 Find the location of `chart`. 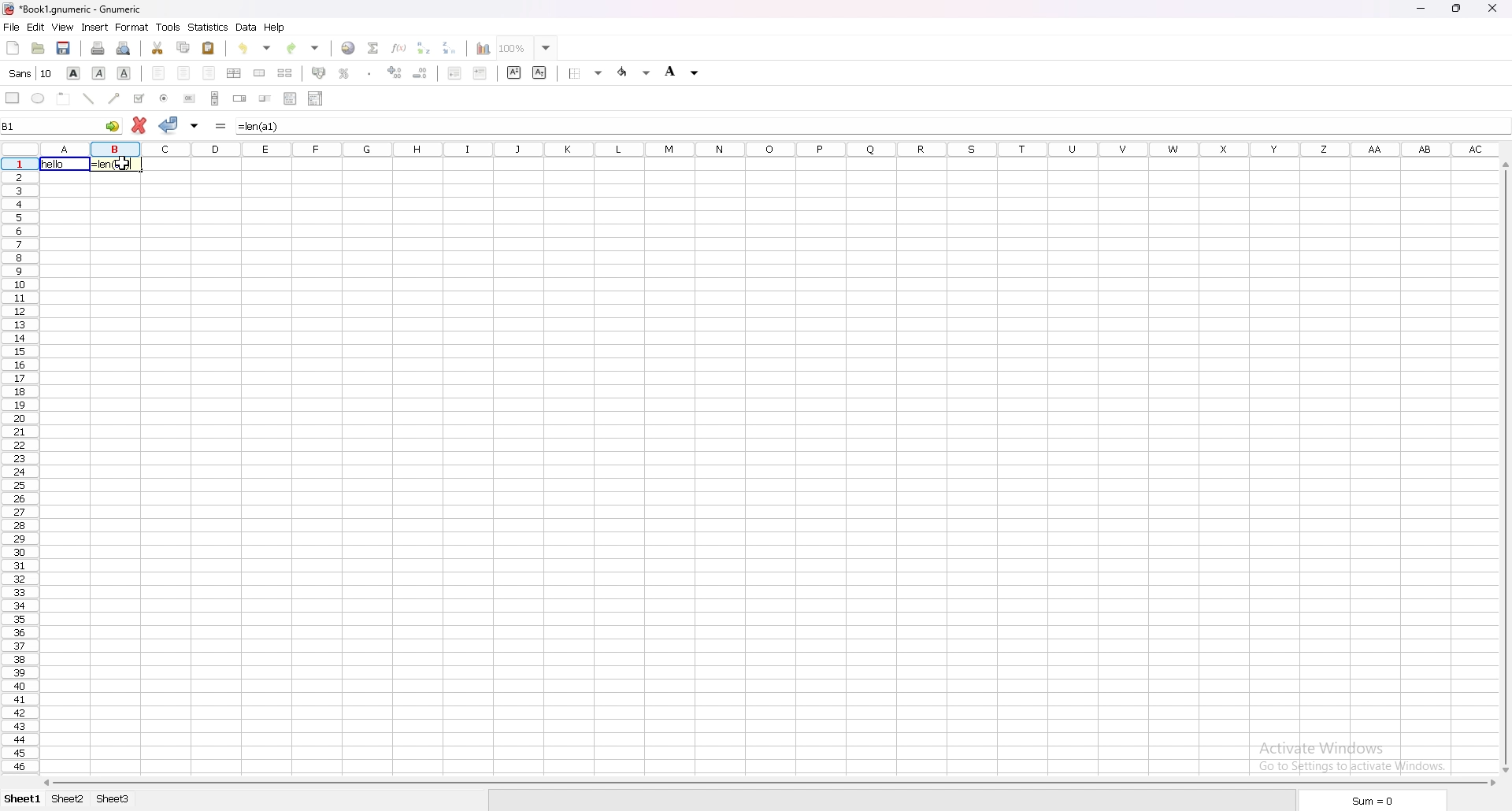

chart is located at coordinates (482, 49).